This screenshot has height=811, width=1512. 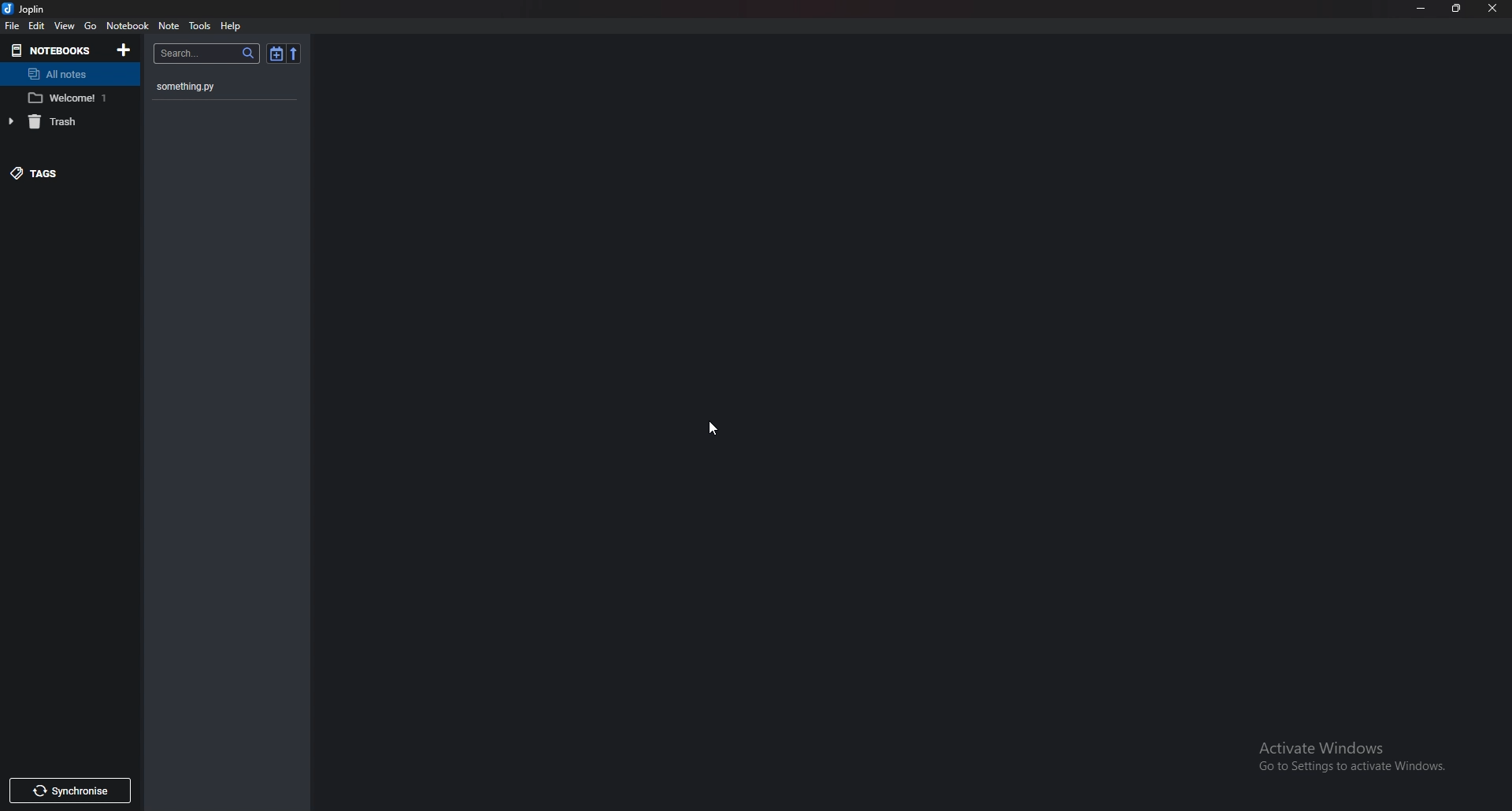 I want to click on file, so click(x=13, y=26).